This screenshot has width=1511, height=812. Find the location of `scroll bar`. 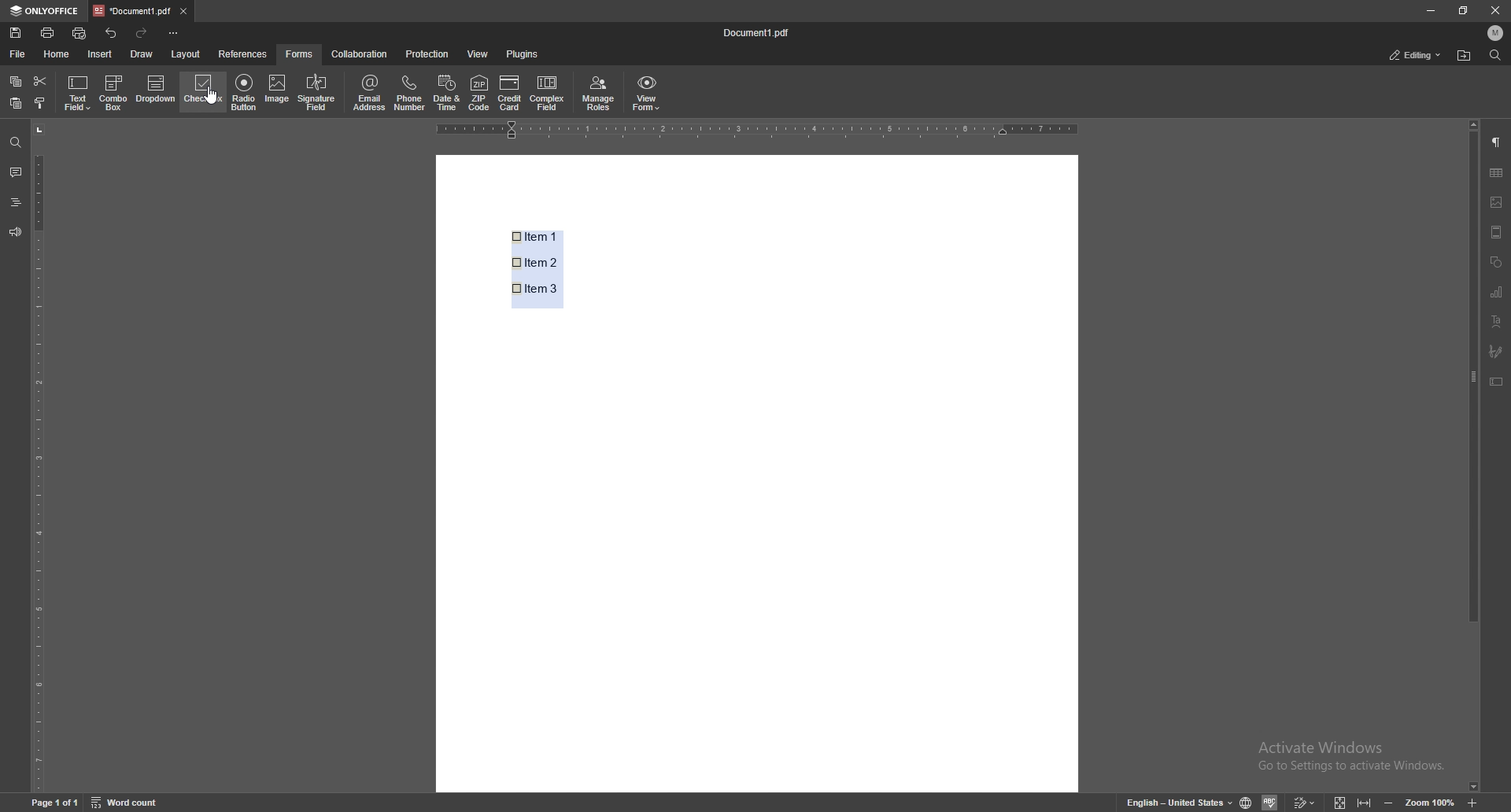

scroll bar is located at coordinates (1473, 456).